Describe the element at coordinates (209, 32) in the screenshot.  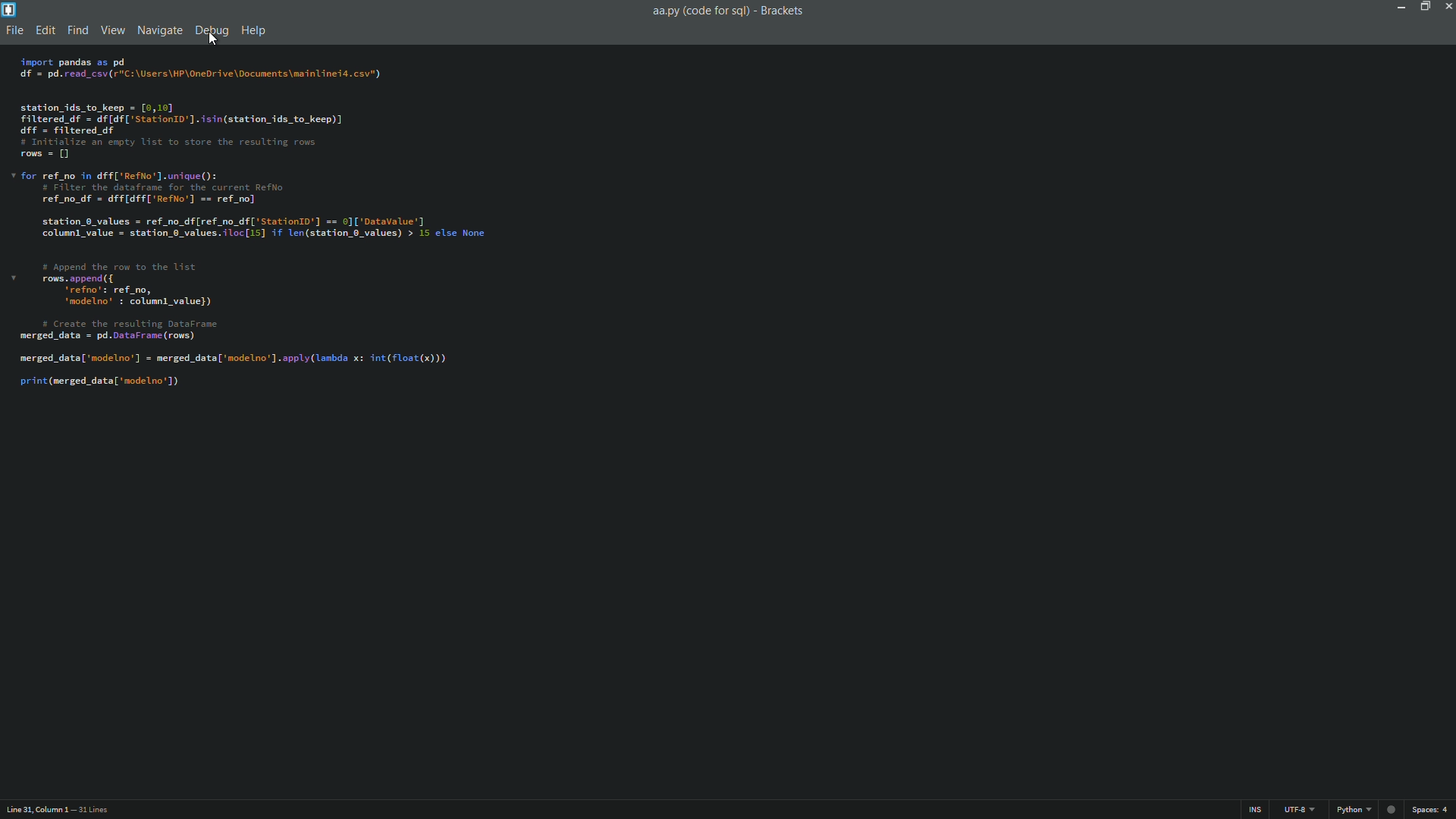
I see `Debug menu` at that location.